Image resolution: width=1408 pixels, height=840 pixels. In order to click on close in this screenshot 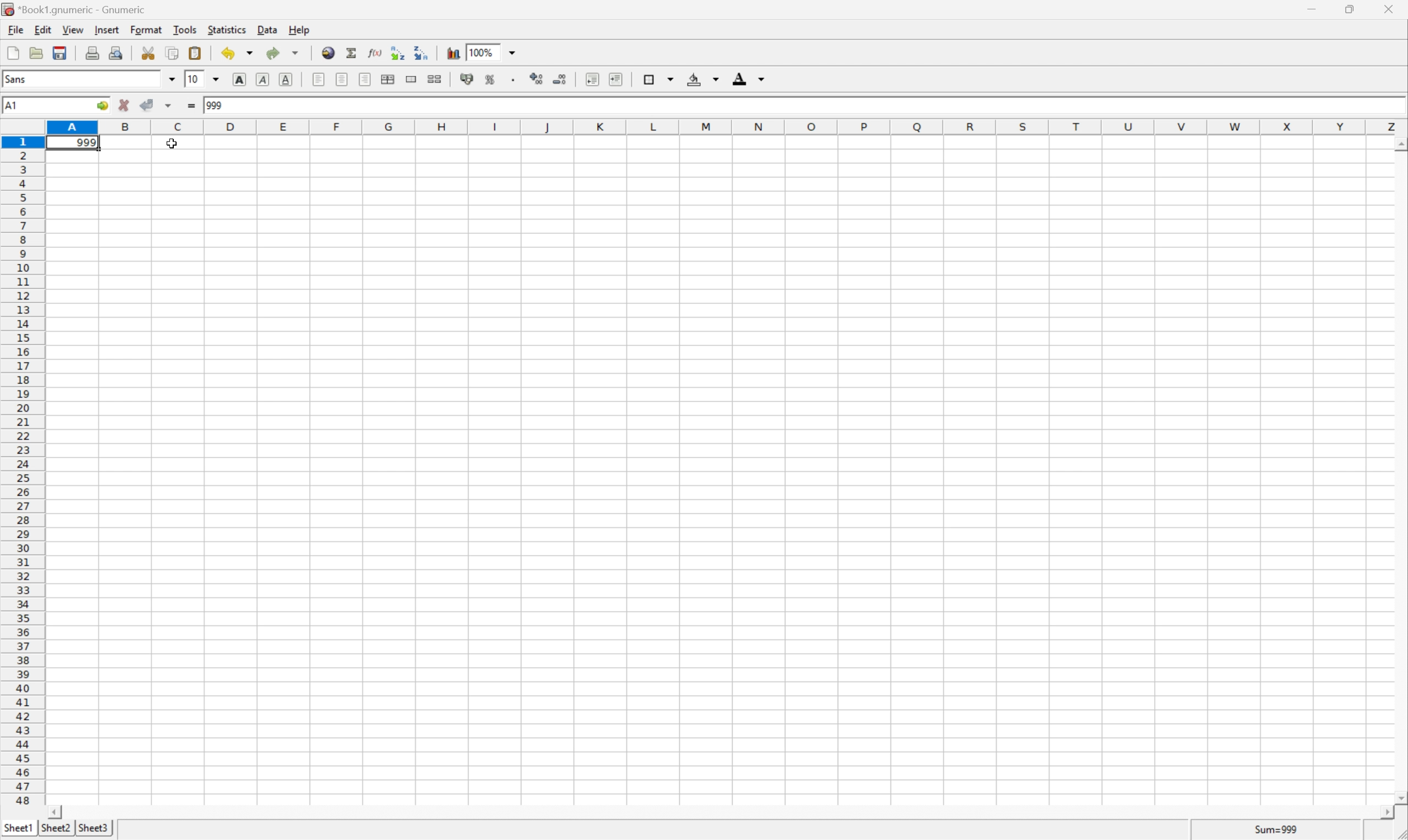, I will do `click(1391, 10)`.